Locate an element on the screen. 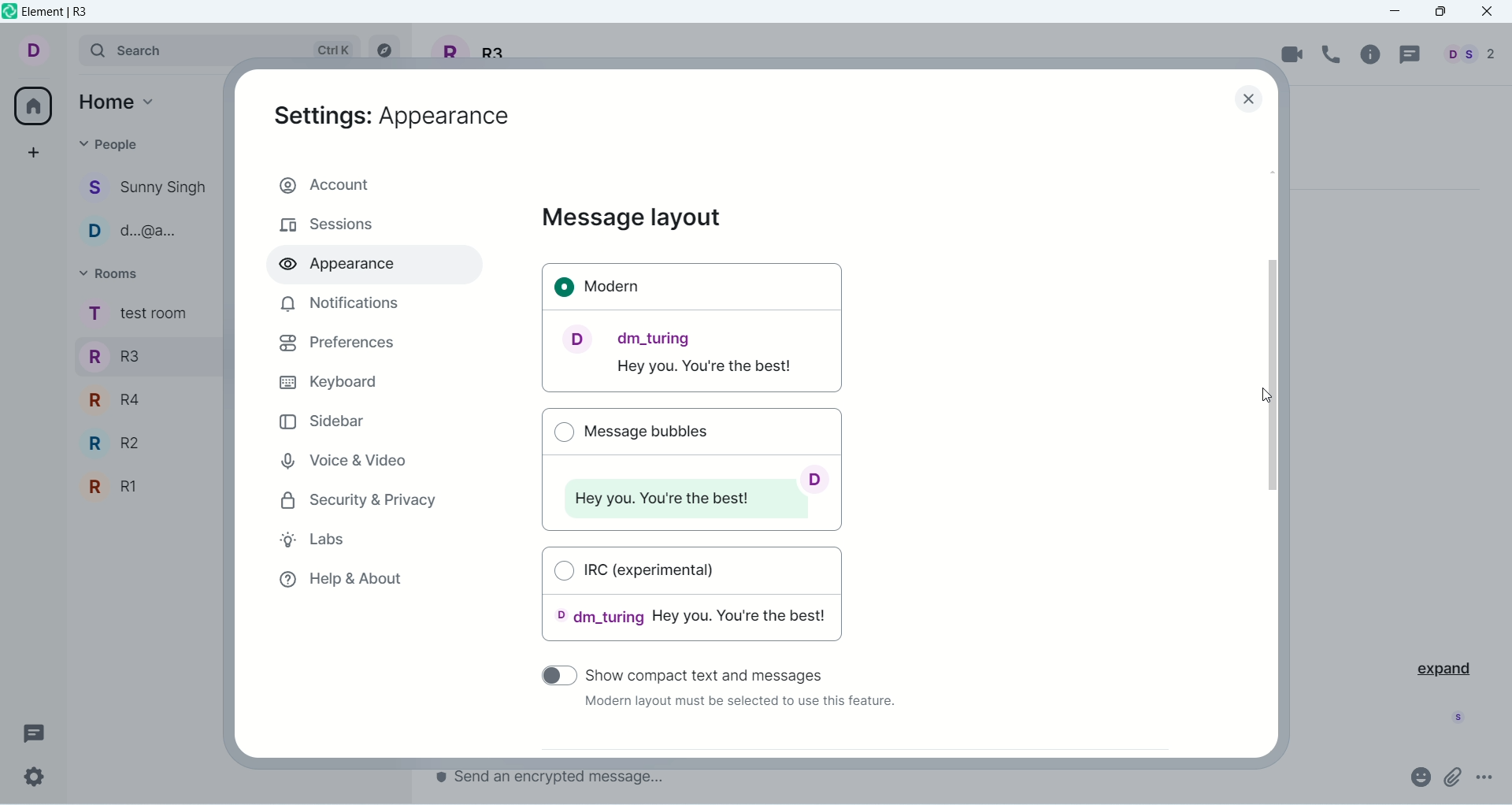 This screenshot has width=1512, height=805. modern is located at coordinates (693, 329).